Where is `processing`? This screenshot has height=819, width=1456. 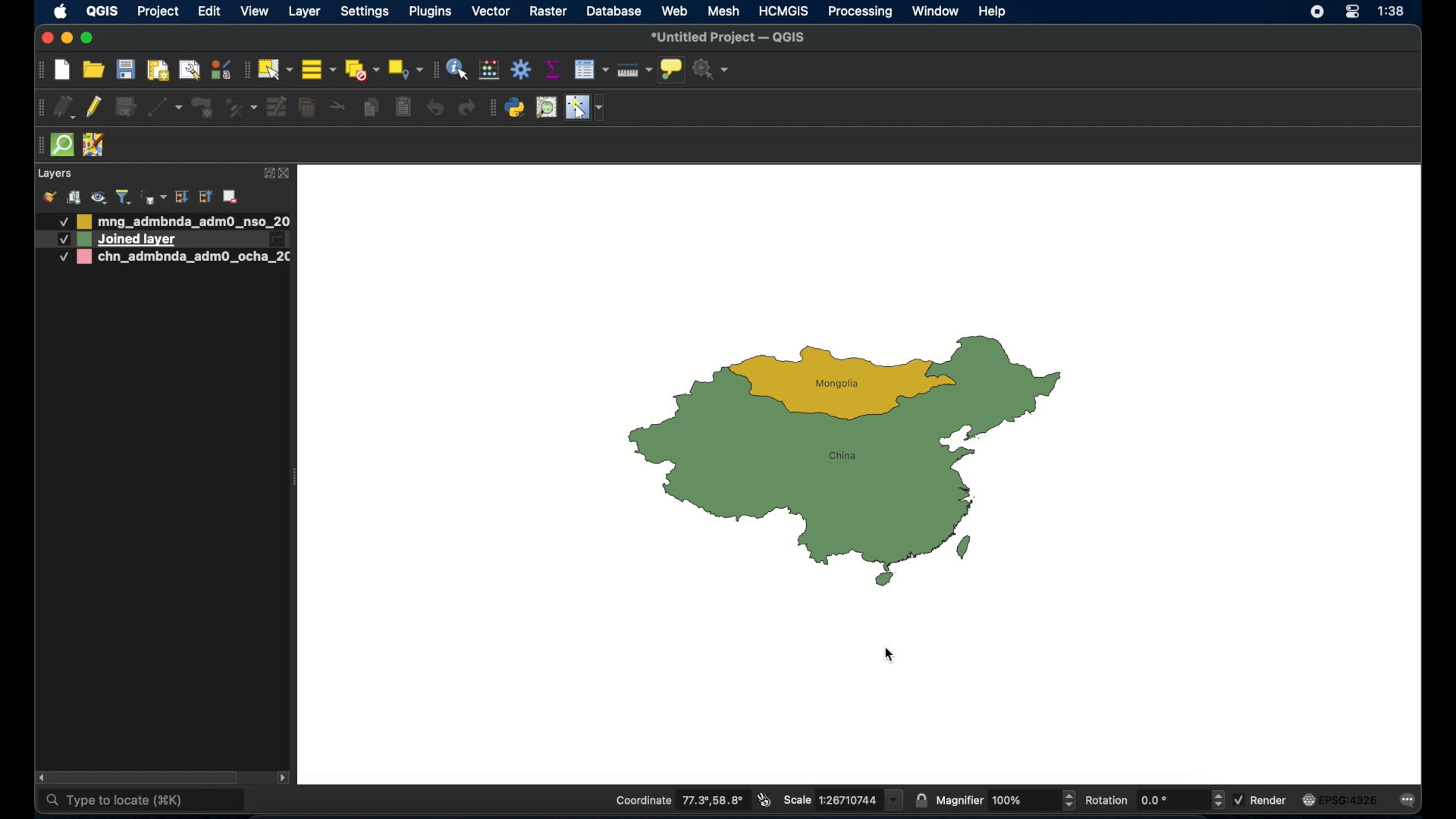 processing is located at coordinates (861, 13).